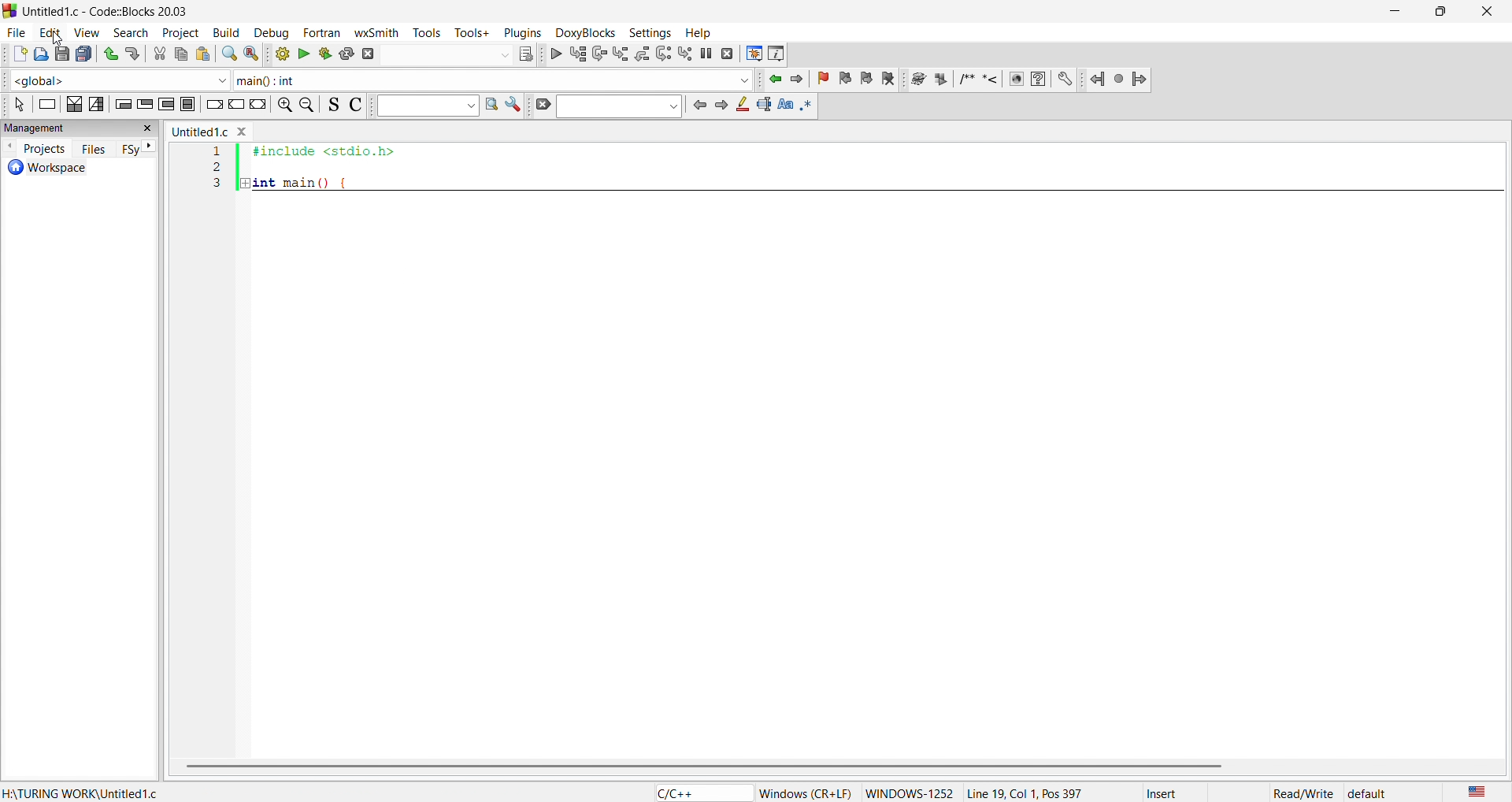 The width and height of the screenshot is (1512, 802). What do you see at coordinates (686, 53) in the screenshot?
I see `step into instructions` at bounding box center [686, 53].